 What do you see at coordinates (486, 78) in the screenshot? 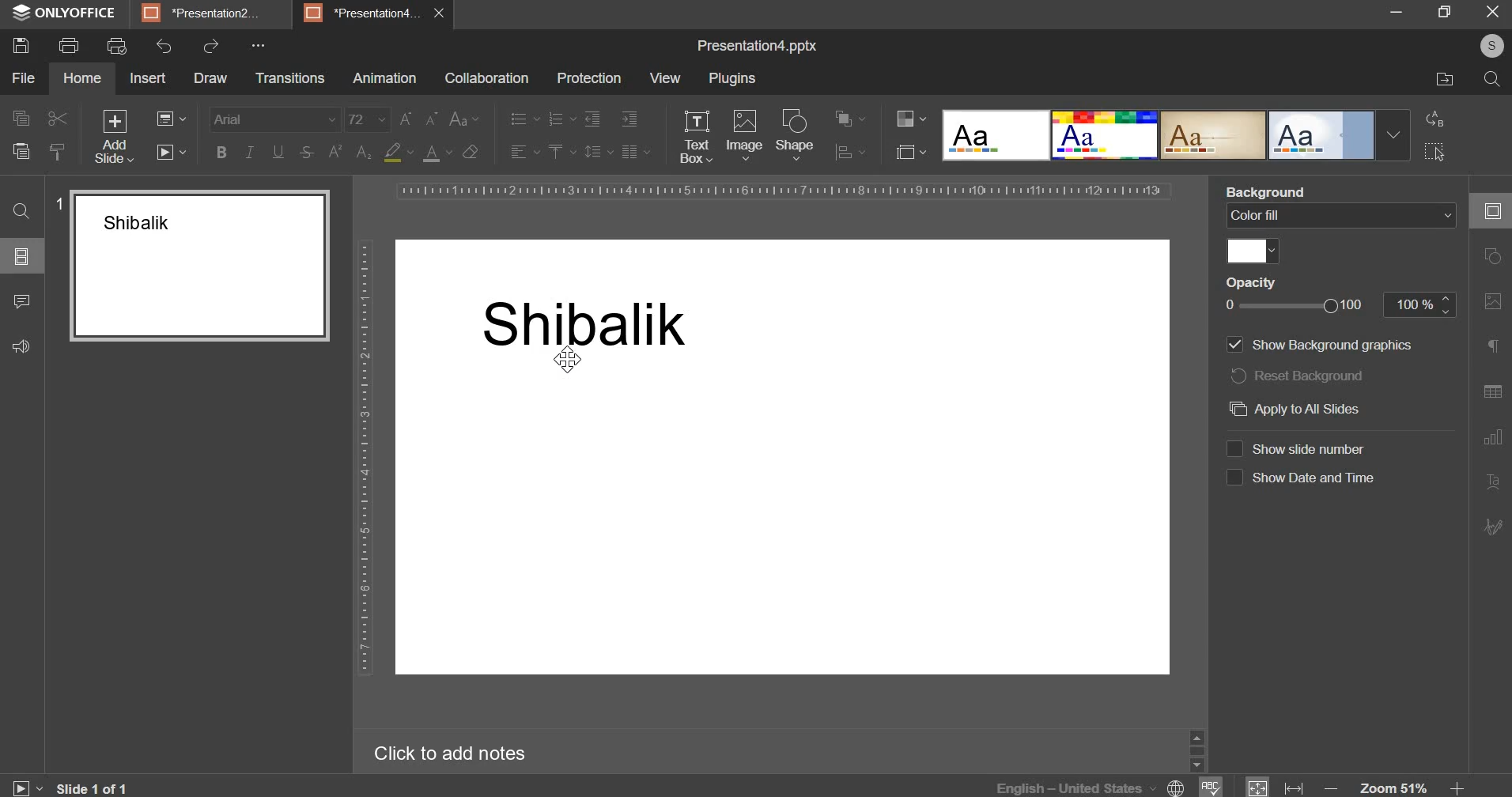
I see `collaboration` at bounding box center [486, 78].